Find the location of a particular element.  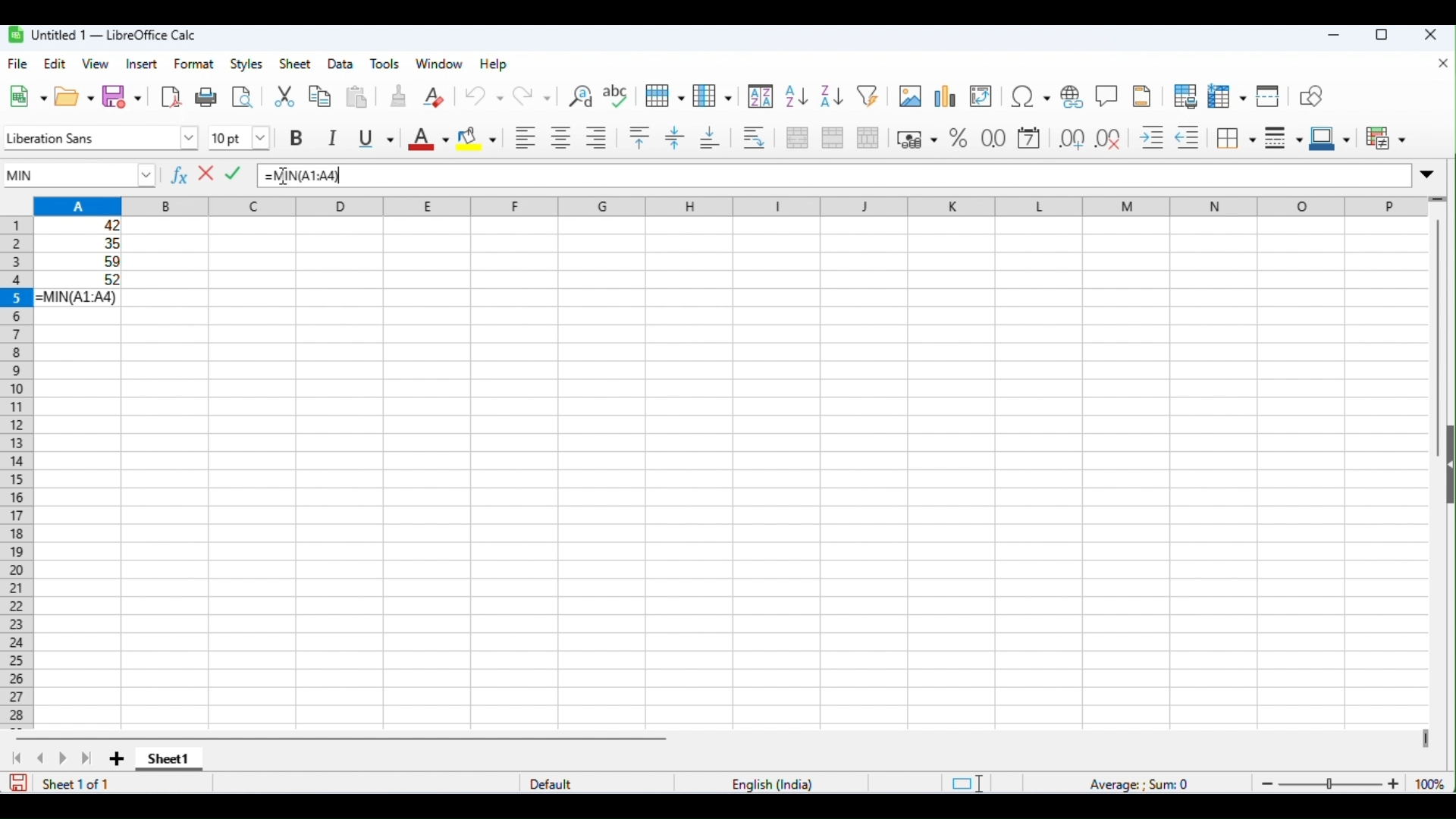

close is located at coordinates (1443, 64).